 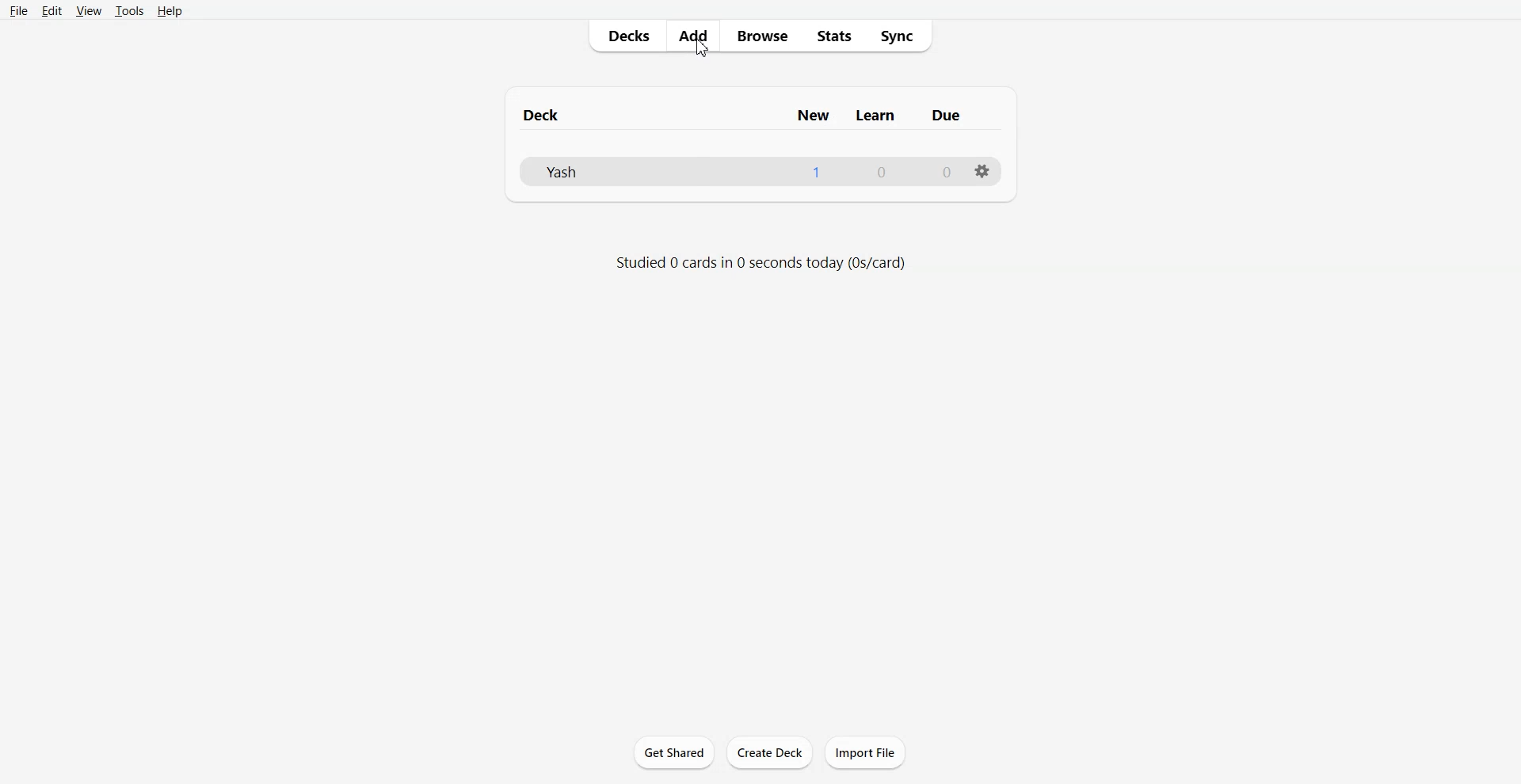 I want to click on , so click(x=941, y=173).